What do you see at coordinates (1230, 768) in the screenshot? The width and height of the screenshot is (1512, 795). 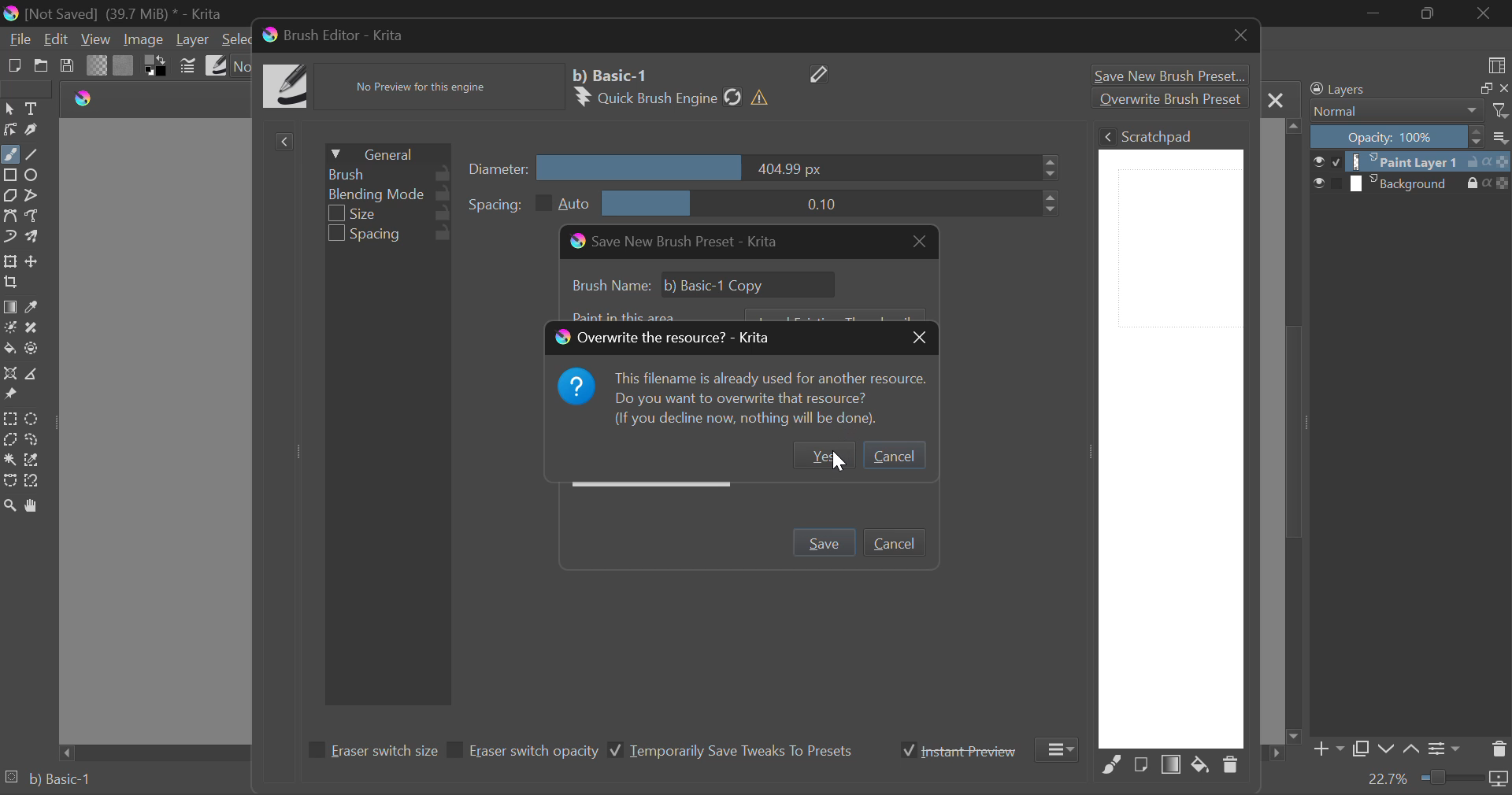 I see `Delete` at bounding box center [1230, 768].